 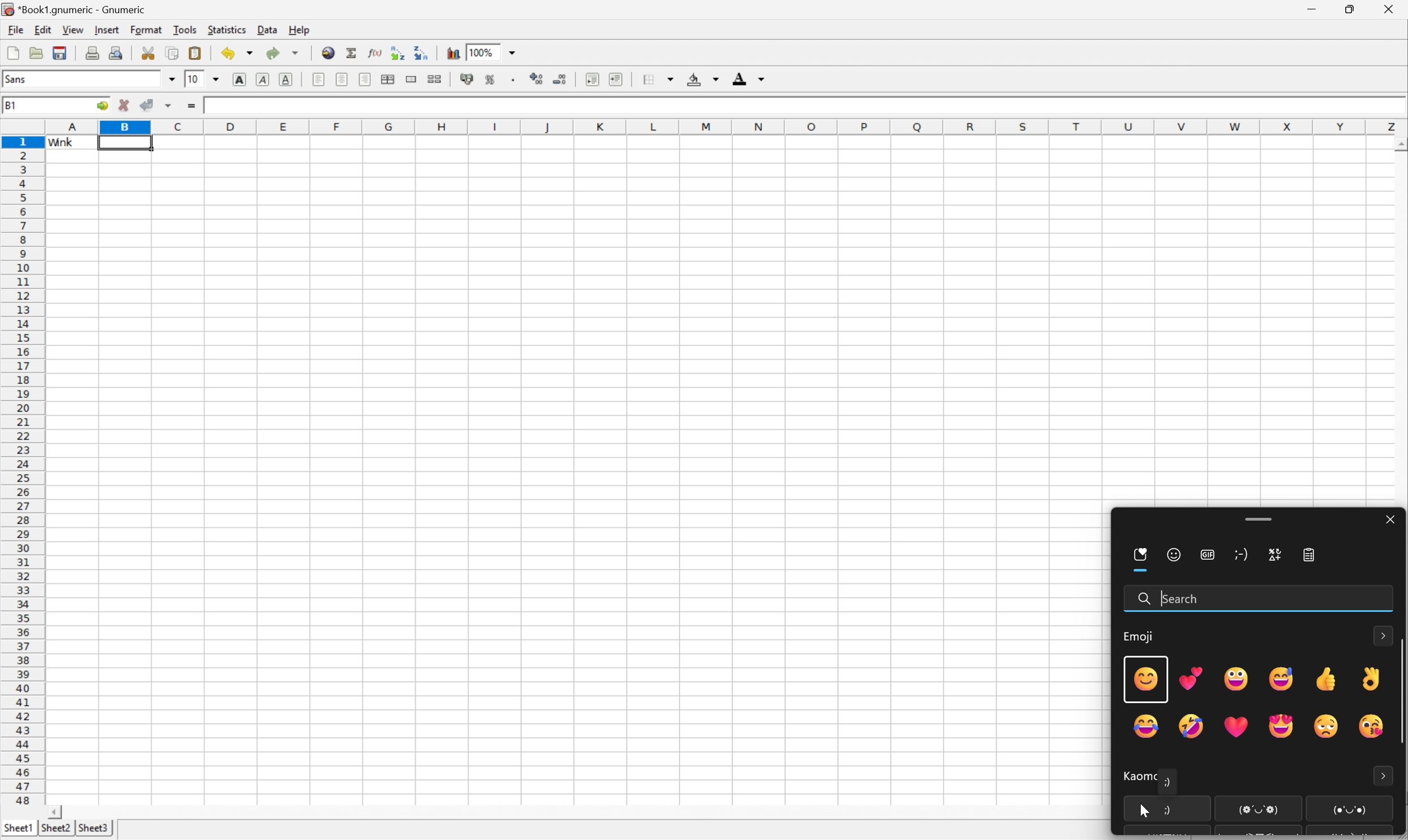 I want to click on gif, so click(x=1209, y=556).